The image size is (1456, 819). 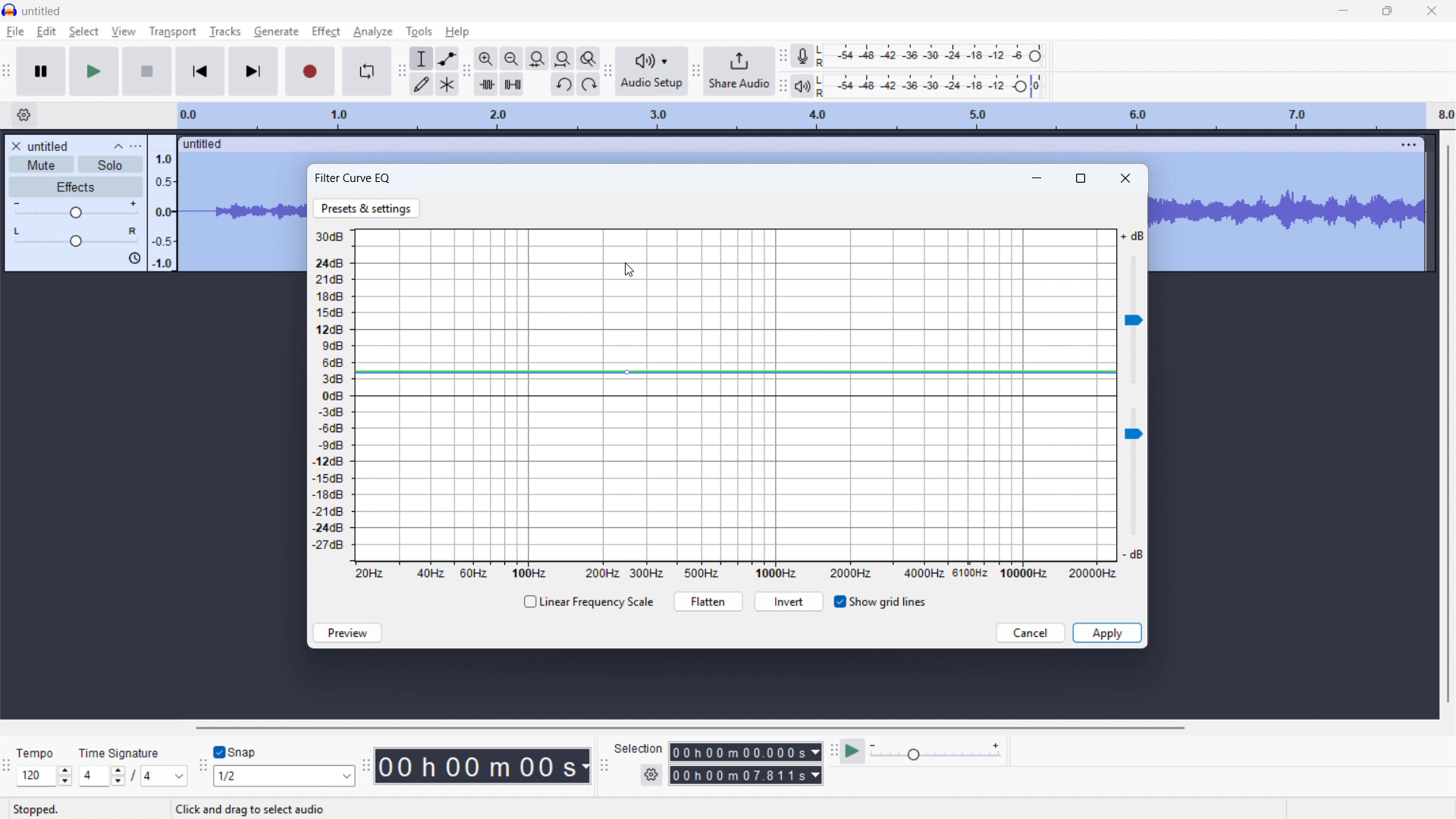 I want to click on skip to end, so click(x=255, y=71).